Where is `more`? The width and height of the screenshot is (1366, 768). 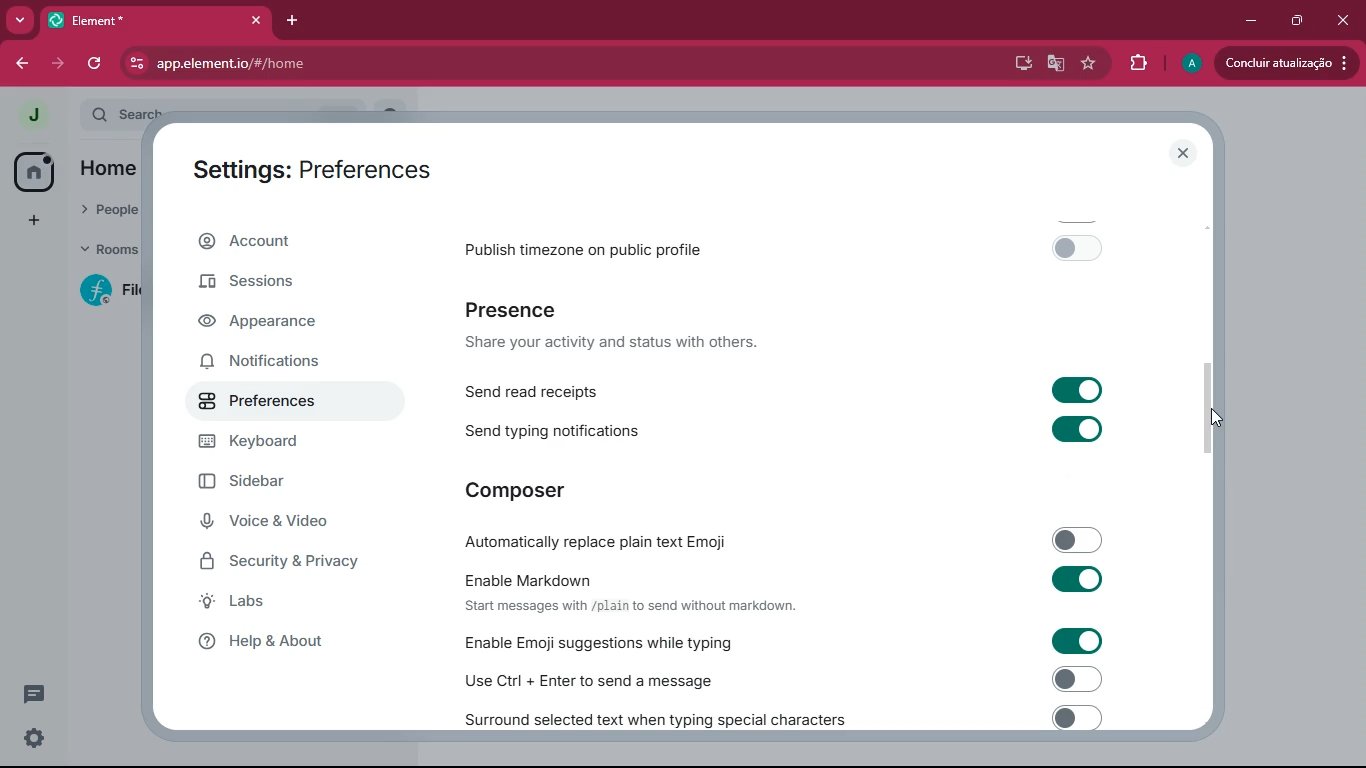 more is located at coordinates (20, 20).